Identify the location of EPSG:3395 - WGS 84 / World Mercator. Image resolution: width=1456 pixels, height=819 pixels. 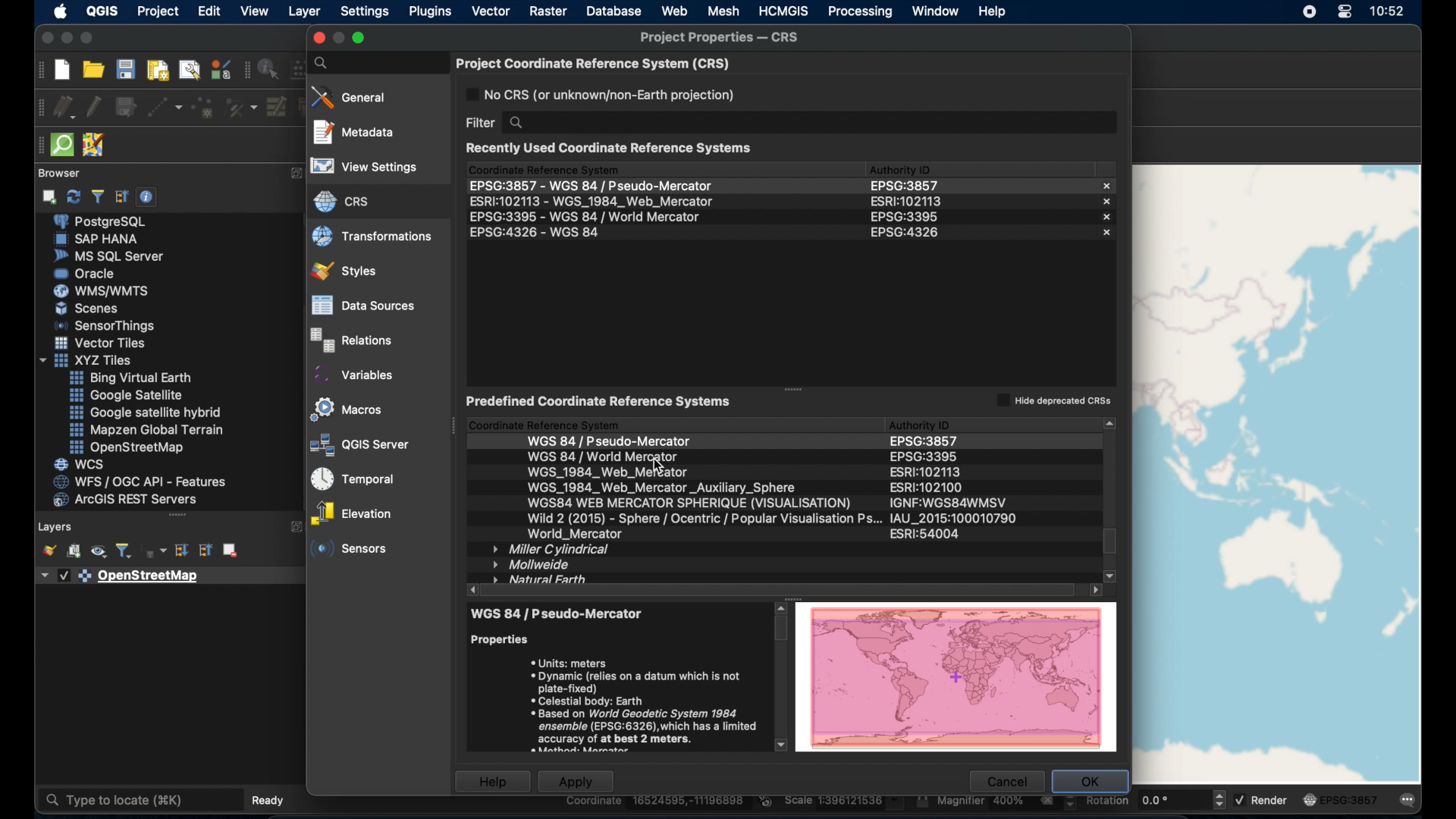
(585, 216).